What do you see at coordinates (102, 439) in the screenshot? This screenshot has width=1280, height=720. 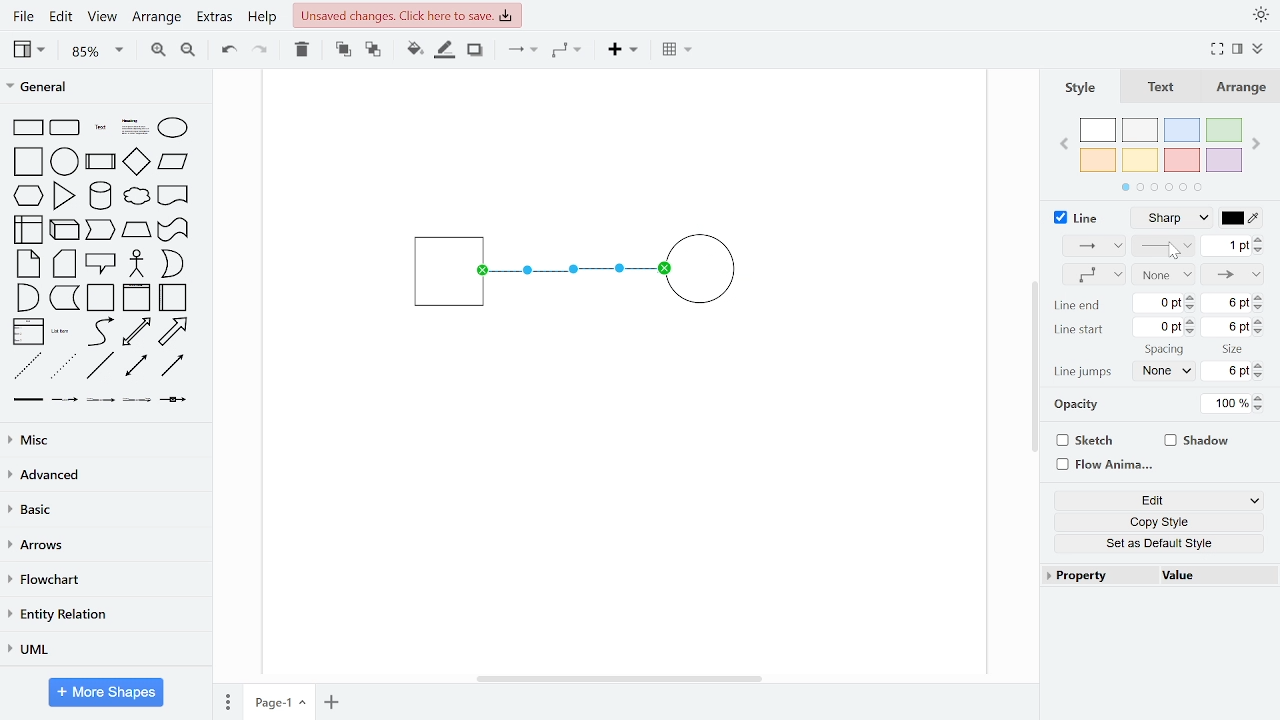 I see `misc` at bounding box center [102, 439].